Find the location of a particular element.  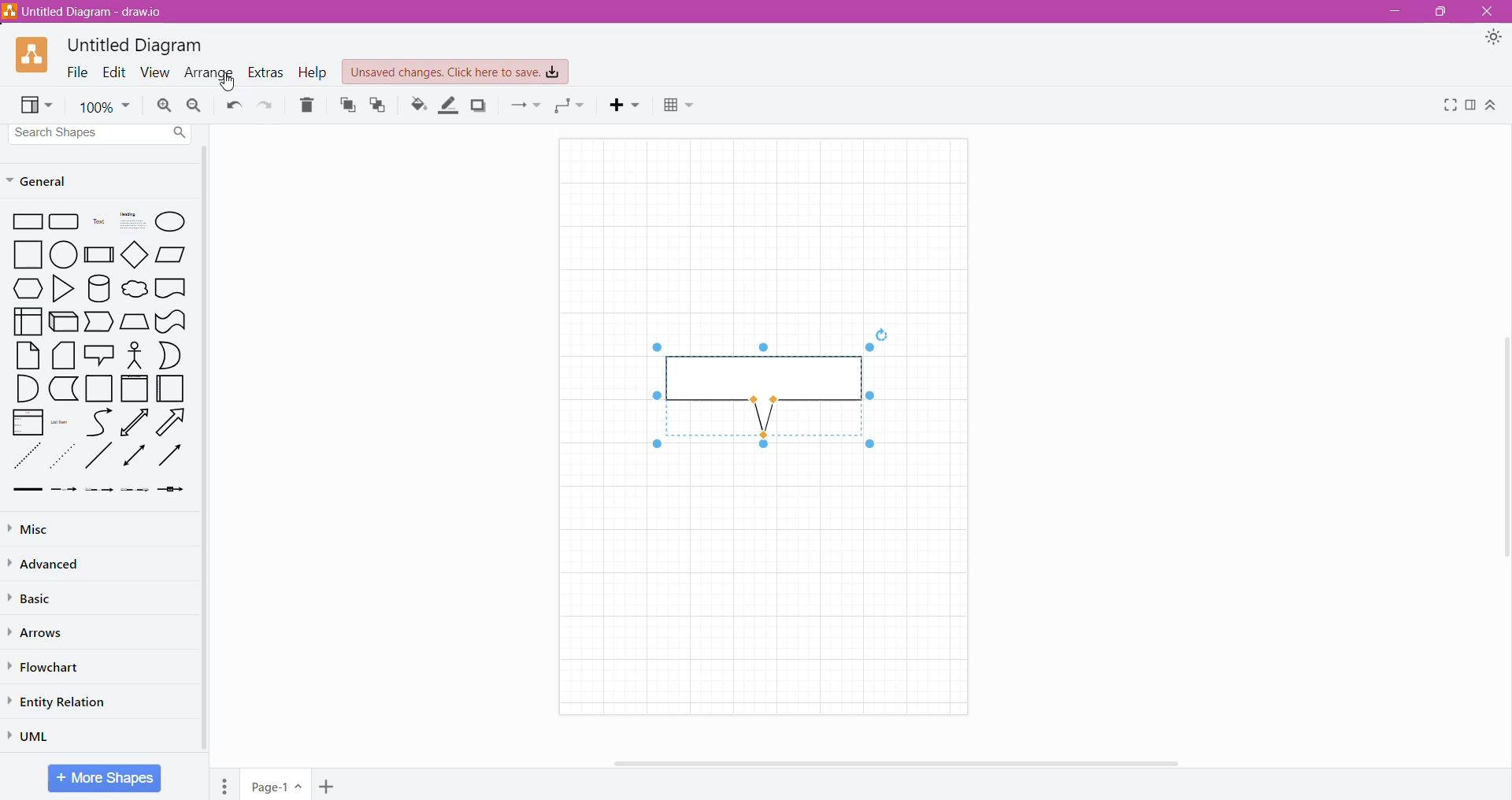

Edit is located at coordinates (114, 72).